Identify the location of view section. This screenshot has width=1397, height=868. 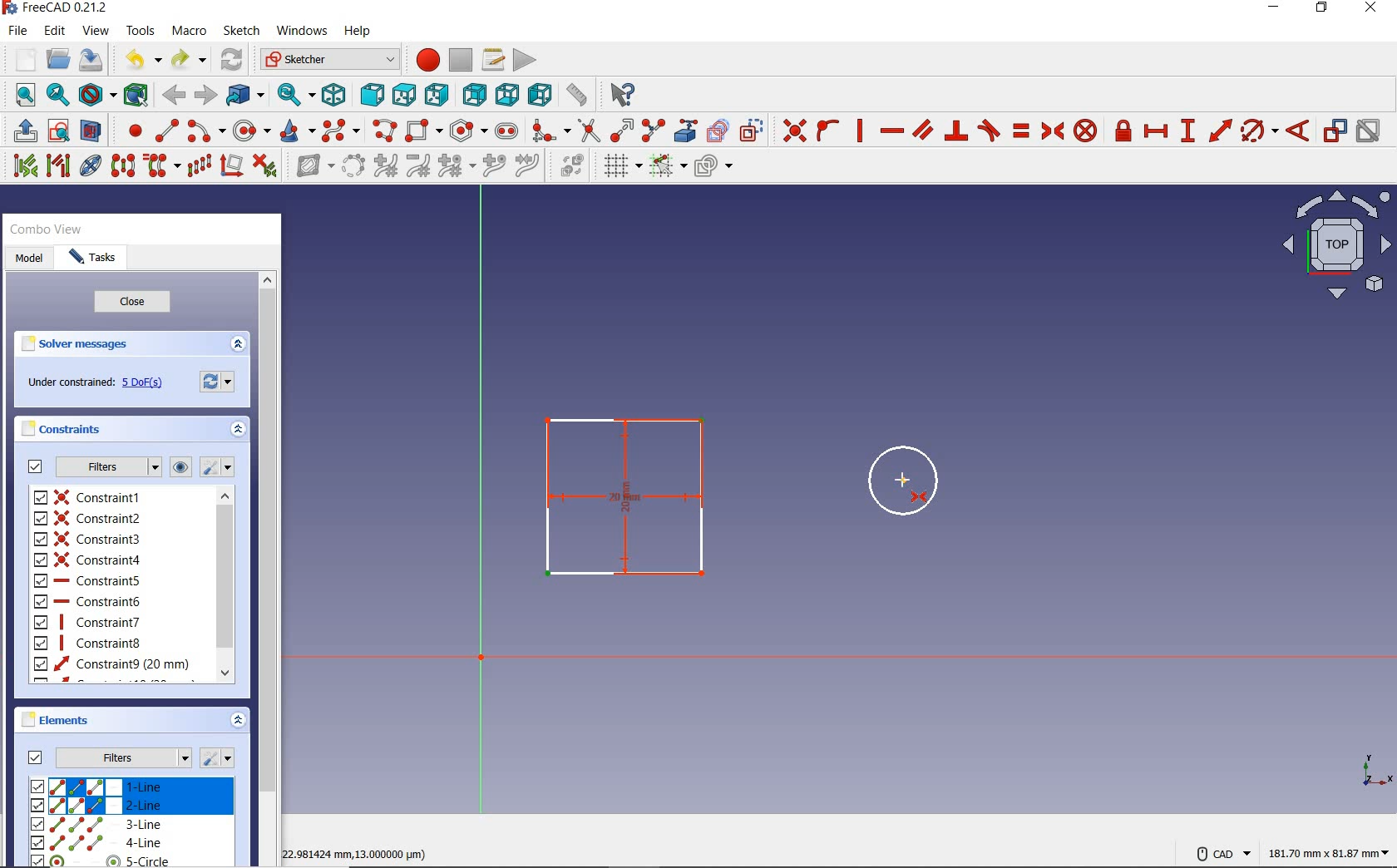
(92, 129).